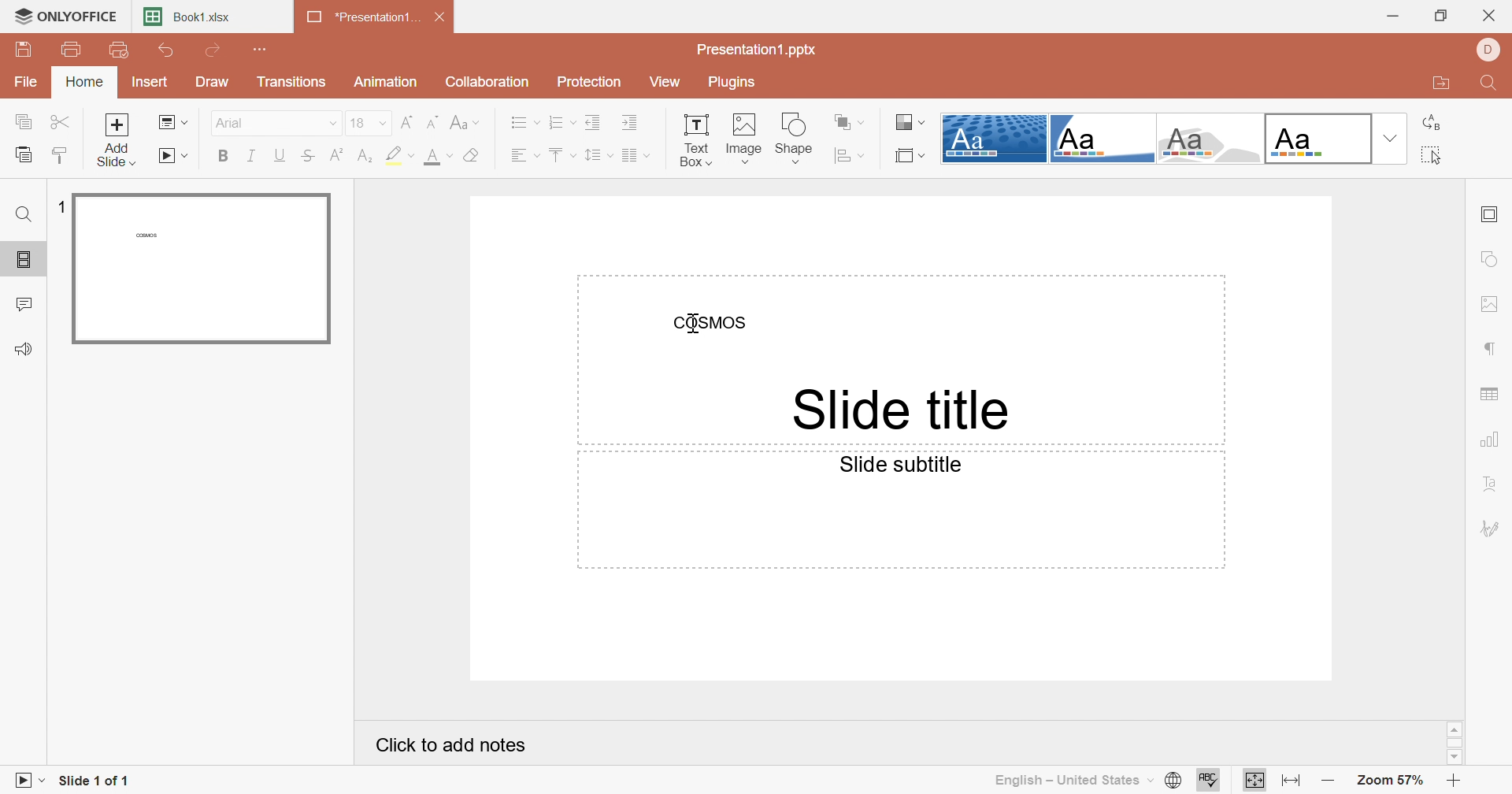 Image resolution: width=1512 pixels, height=794 pixels. Describe the element at coordinates (335, 157) in the screenshot. I see `Superscript` at that location.